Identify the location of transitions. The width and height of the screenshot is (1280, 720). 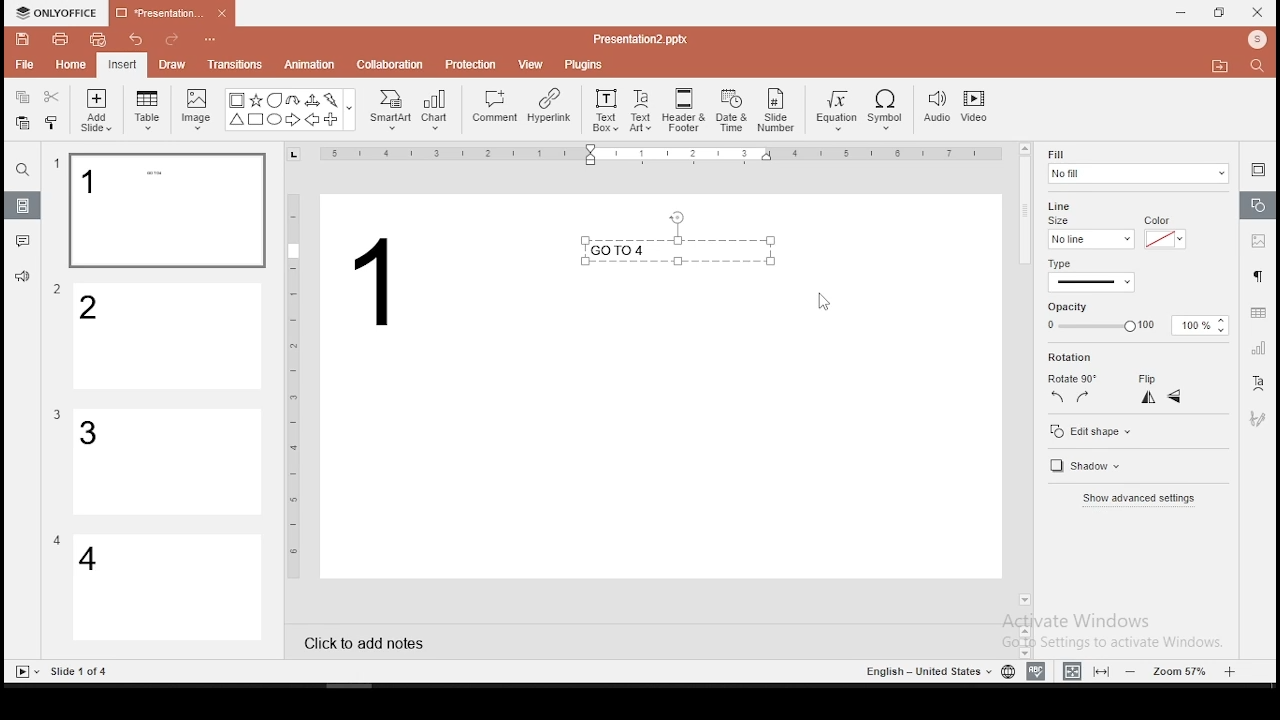
(234, 64).